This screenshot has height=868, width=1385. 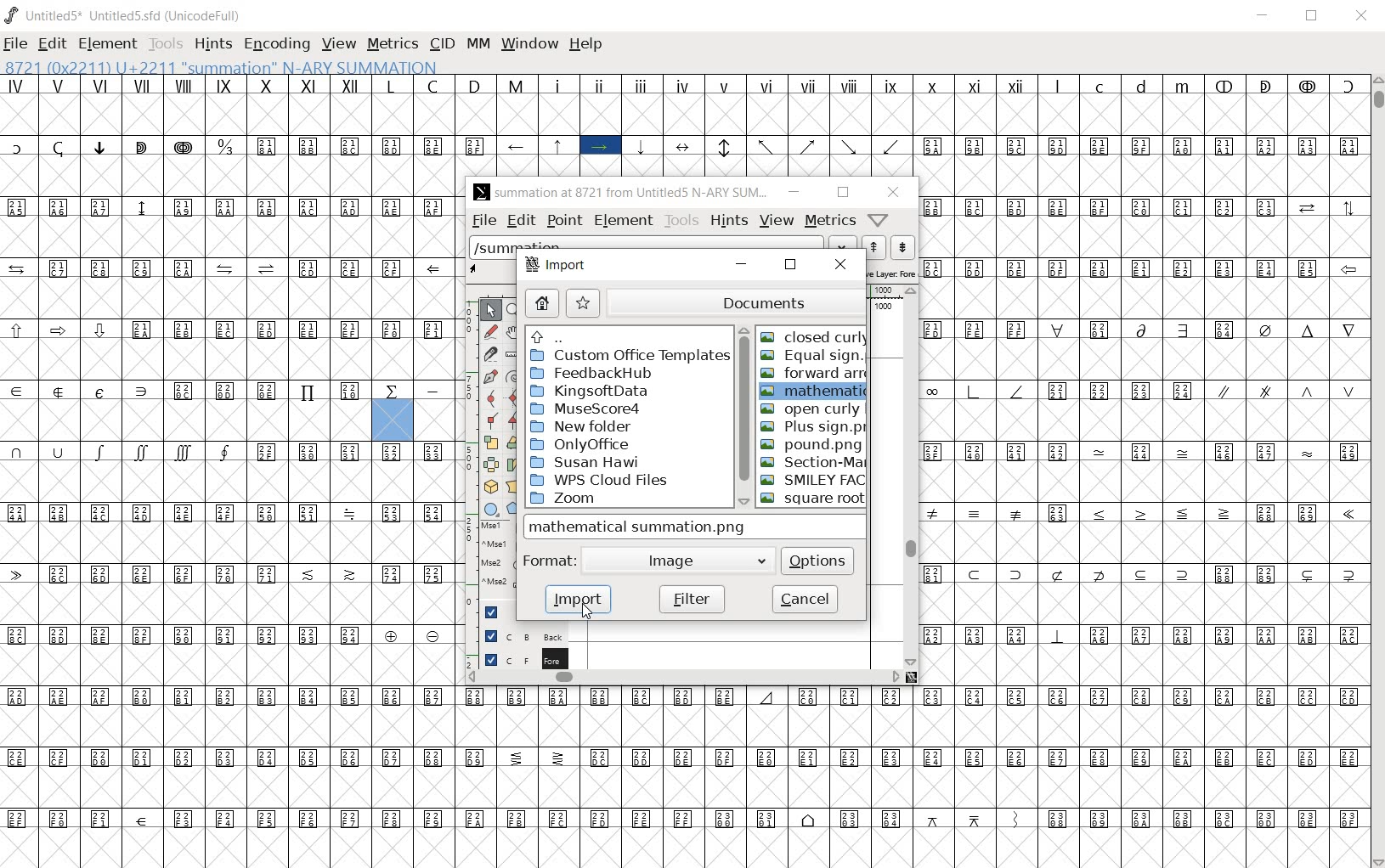 I want to click on format, so click(x=550, y=559).